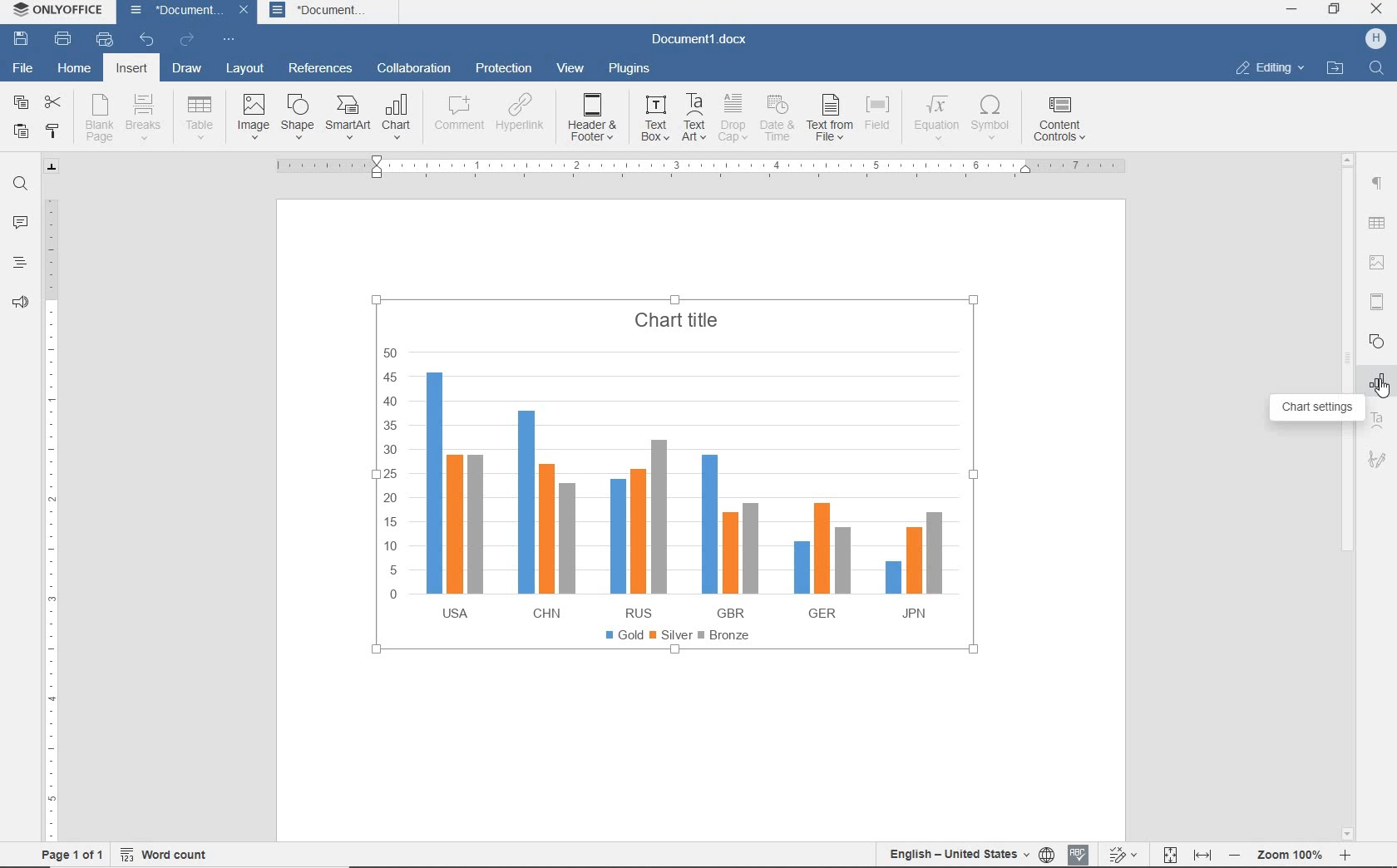 The height and width of the screenshot is (868, 1397). What do you see at coordinates (73, 854) in the screenshot?
I see `page 1 of 1` at bounding box center [73, 854].